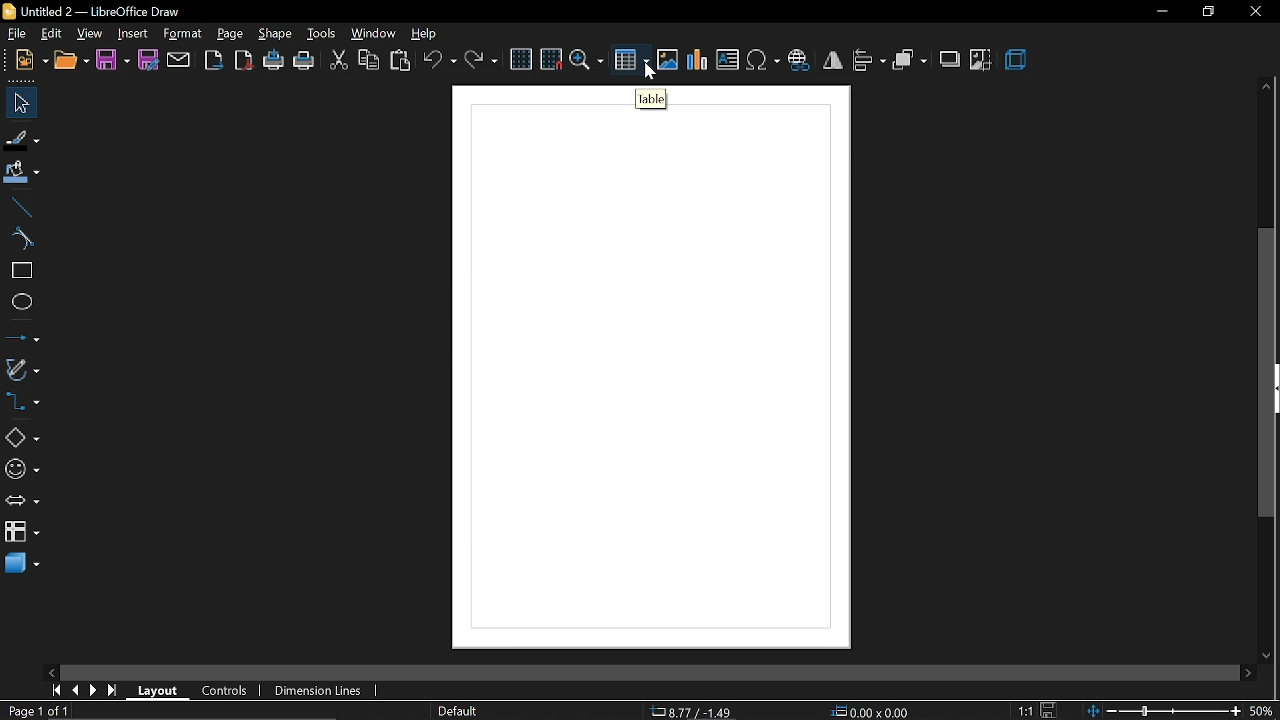 The width and height of the screenshot is (1280, 720). I want to click on restore down, so click(1207, 10).